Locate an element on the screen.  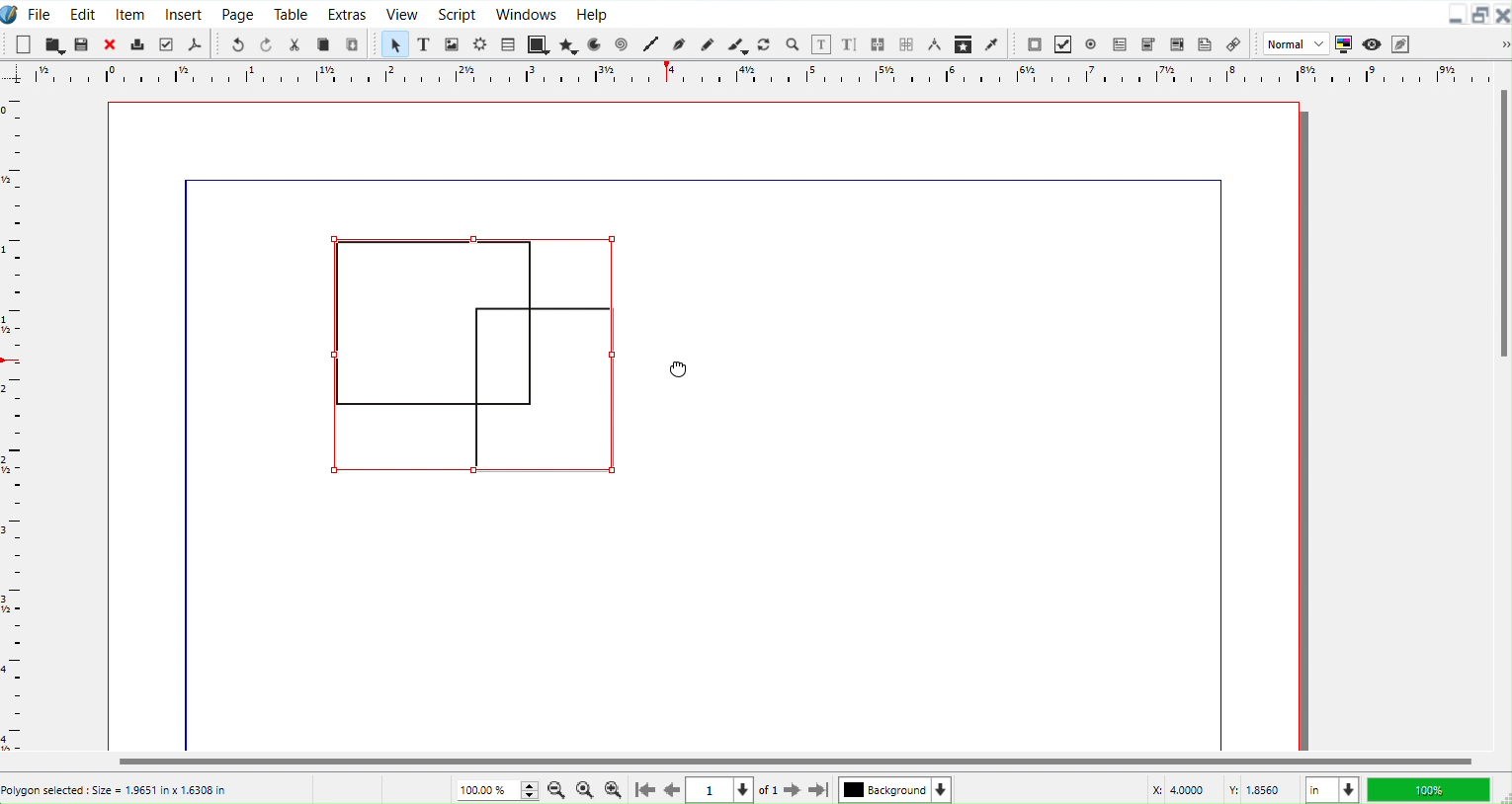
line is located at coordinates (1220, 471).